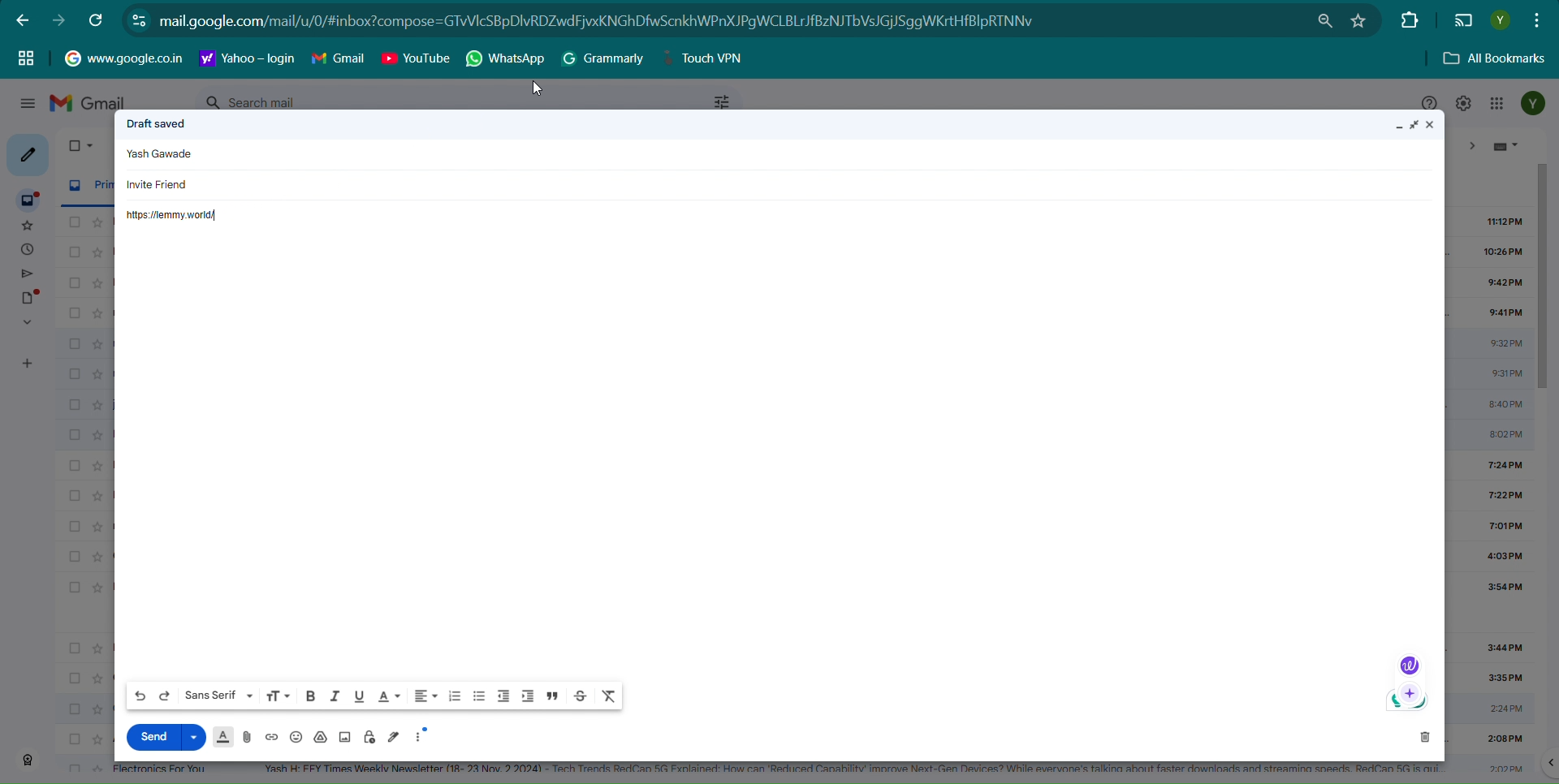 This screenshot has height=784, width=1559. What do you see at coordinates (358, 696) in the screenshot?
I see `Underline` at bounding box center [358, 696].